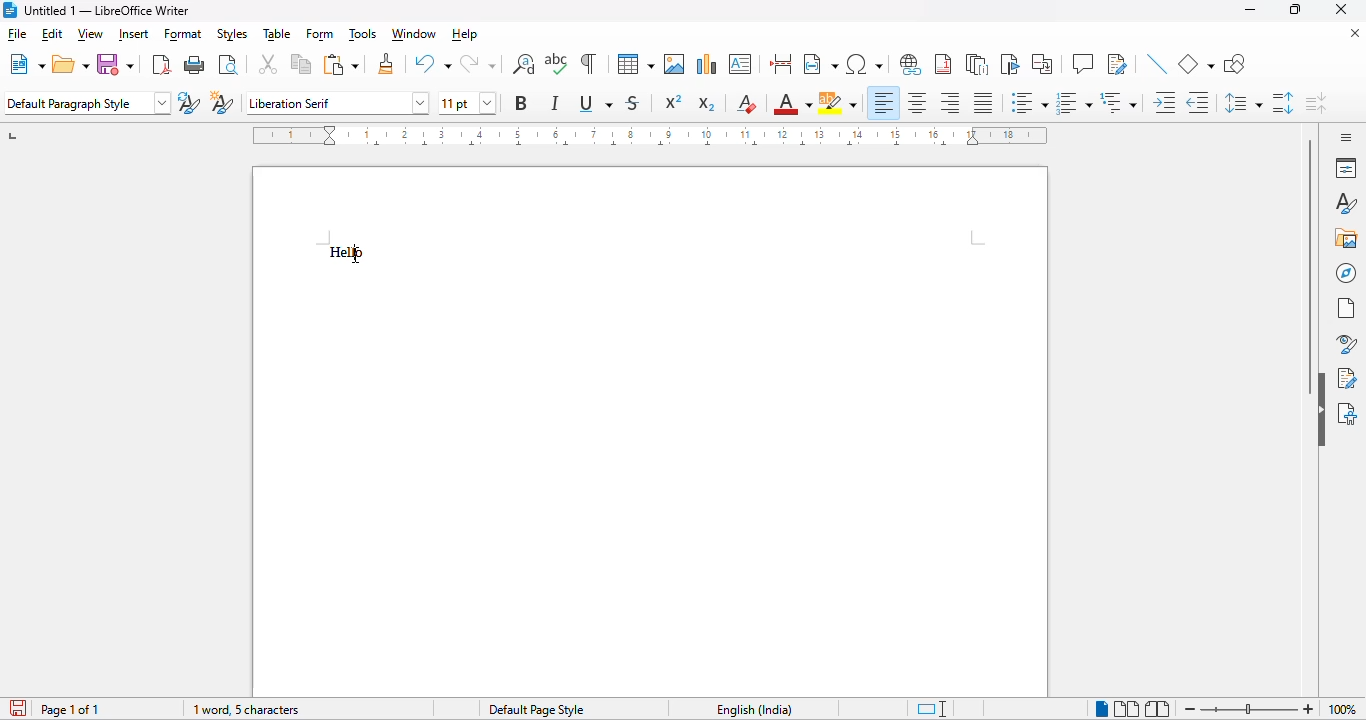 This screenshot has width=1366, height=720. Describe the element at coordinates (189, 102) in the screenshot. I see `update paragraph style` at that location.